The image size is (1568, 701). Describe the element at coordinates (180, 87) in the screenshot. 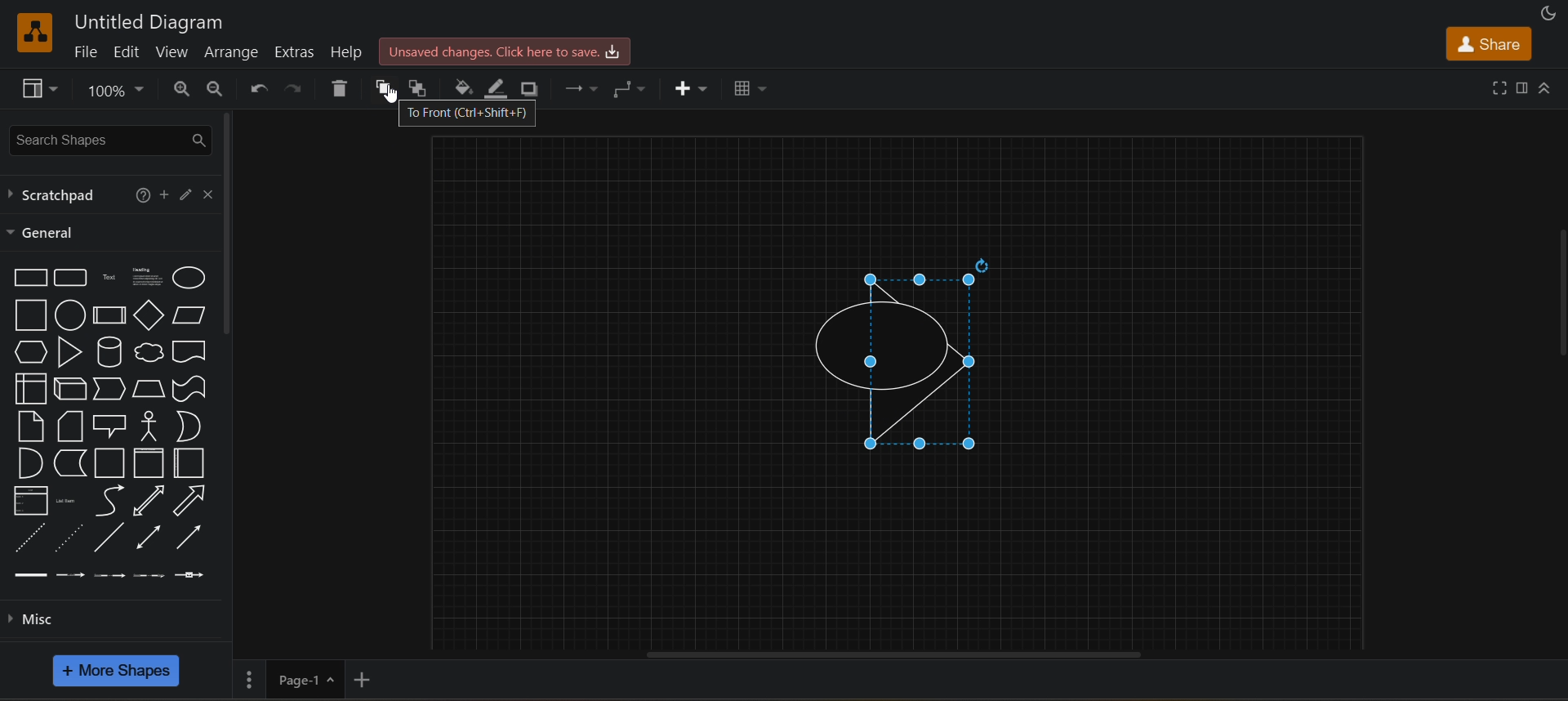

I see `zoom in` at that location.